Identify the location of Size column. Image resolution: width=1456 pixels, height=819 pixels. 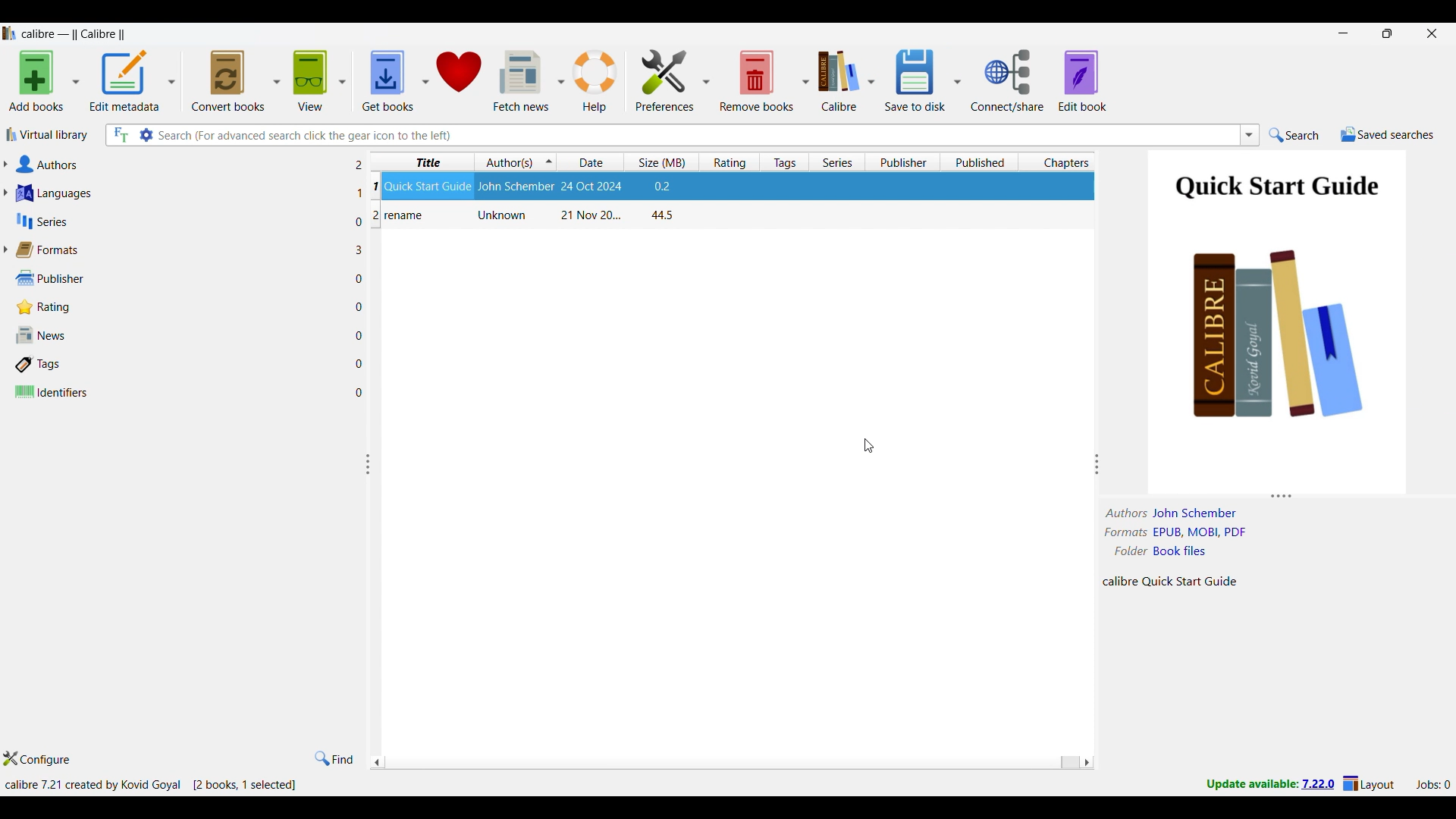
(661, 162).